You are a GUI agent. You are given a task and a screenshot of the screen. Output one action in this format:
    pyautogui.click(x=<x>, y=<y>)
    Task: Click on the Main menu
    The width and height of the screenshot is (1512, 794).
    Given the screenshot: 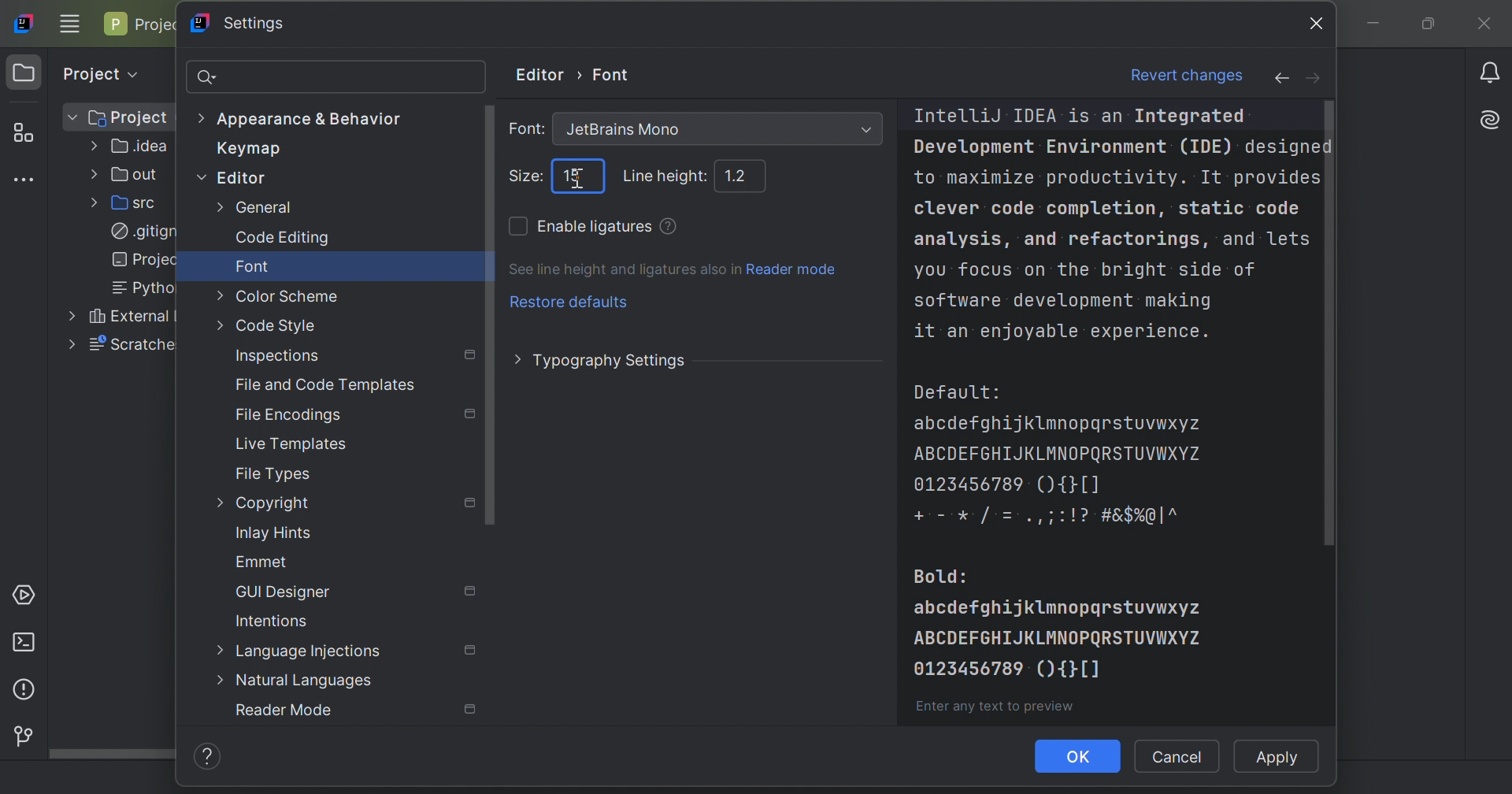 What is the action you would take?
    pyautogui.click(x=70, y=23)
    